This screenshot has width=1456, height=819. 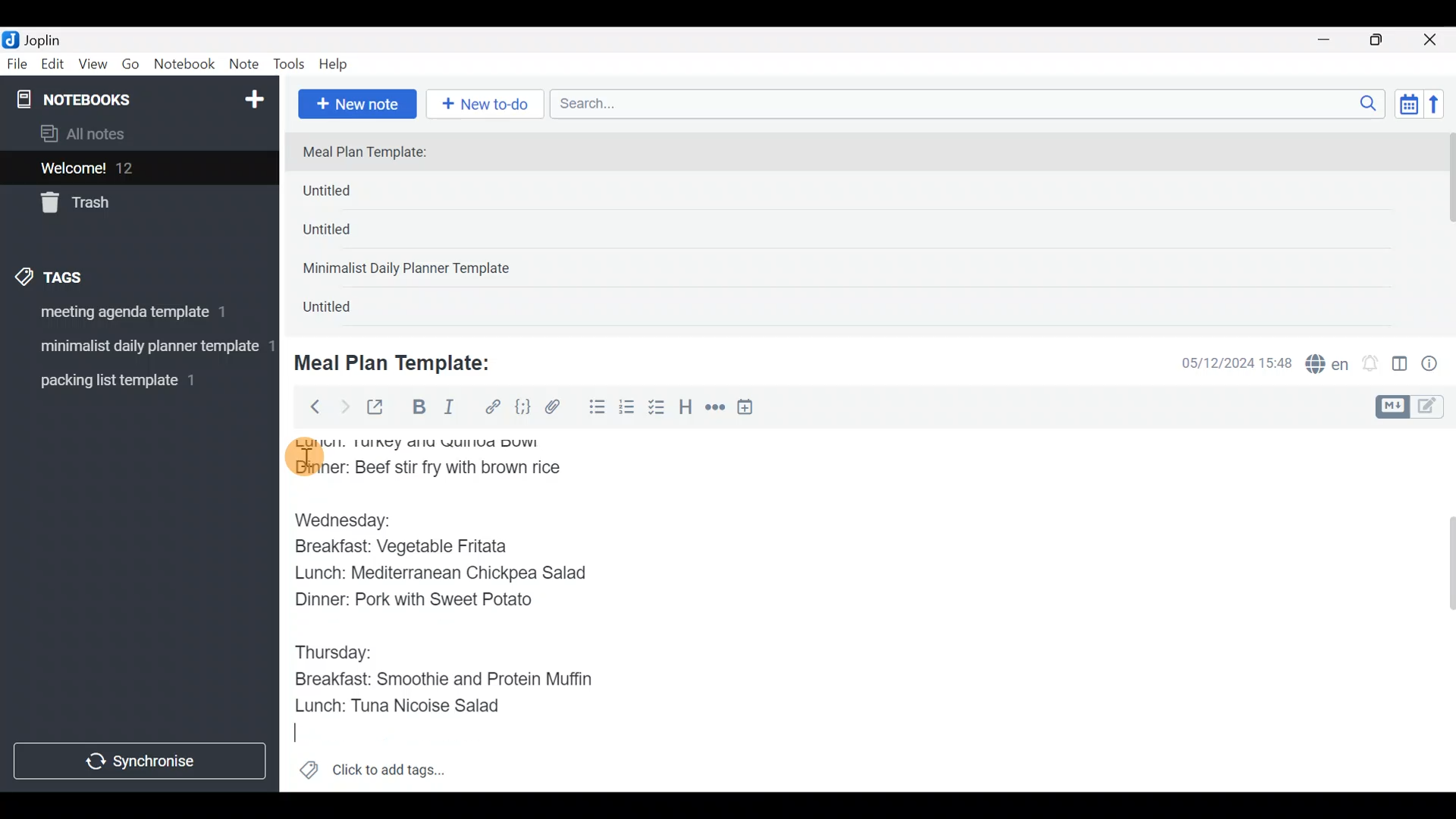 What do you see at coordinates (107, 99) in the screenshot?
I see `Notebooks` at bounding box center [107, 99].